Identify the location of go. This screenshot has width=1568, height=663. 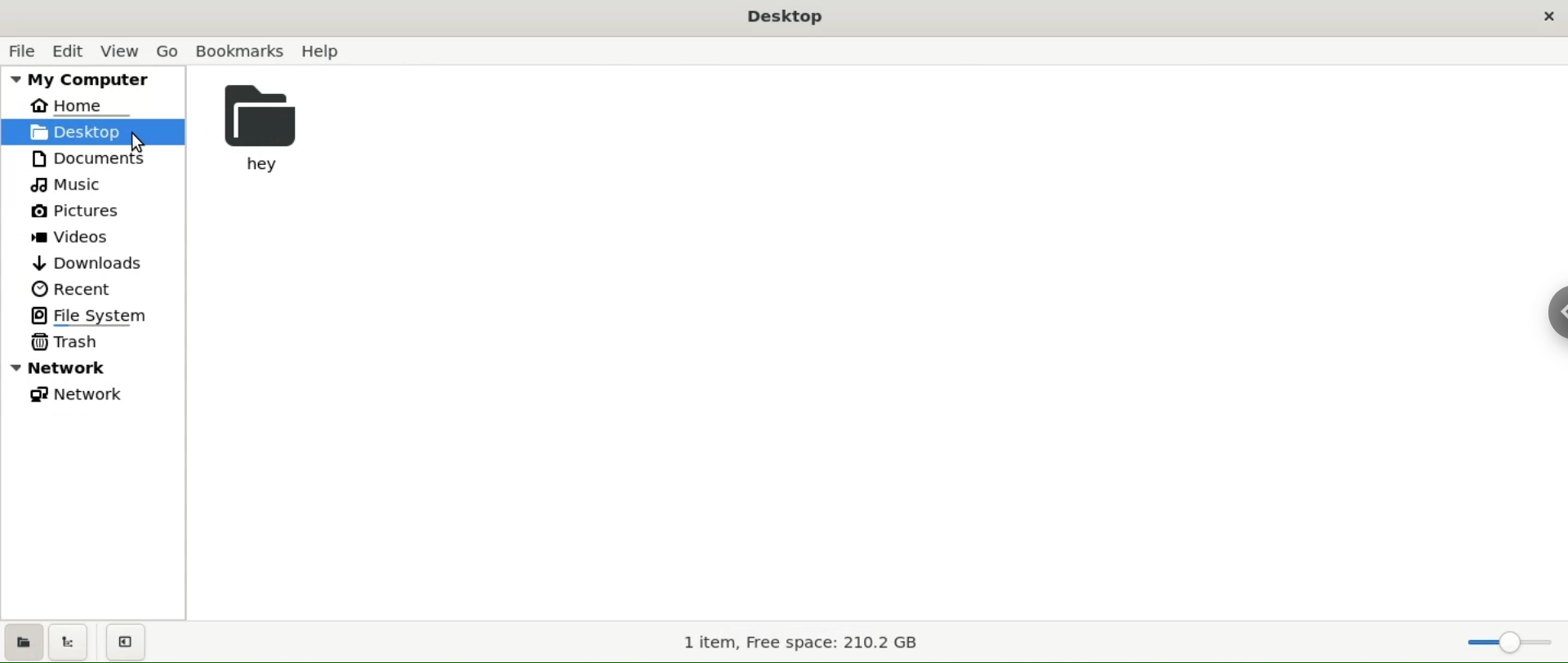
(167, 49).